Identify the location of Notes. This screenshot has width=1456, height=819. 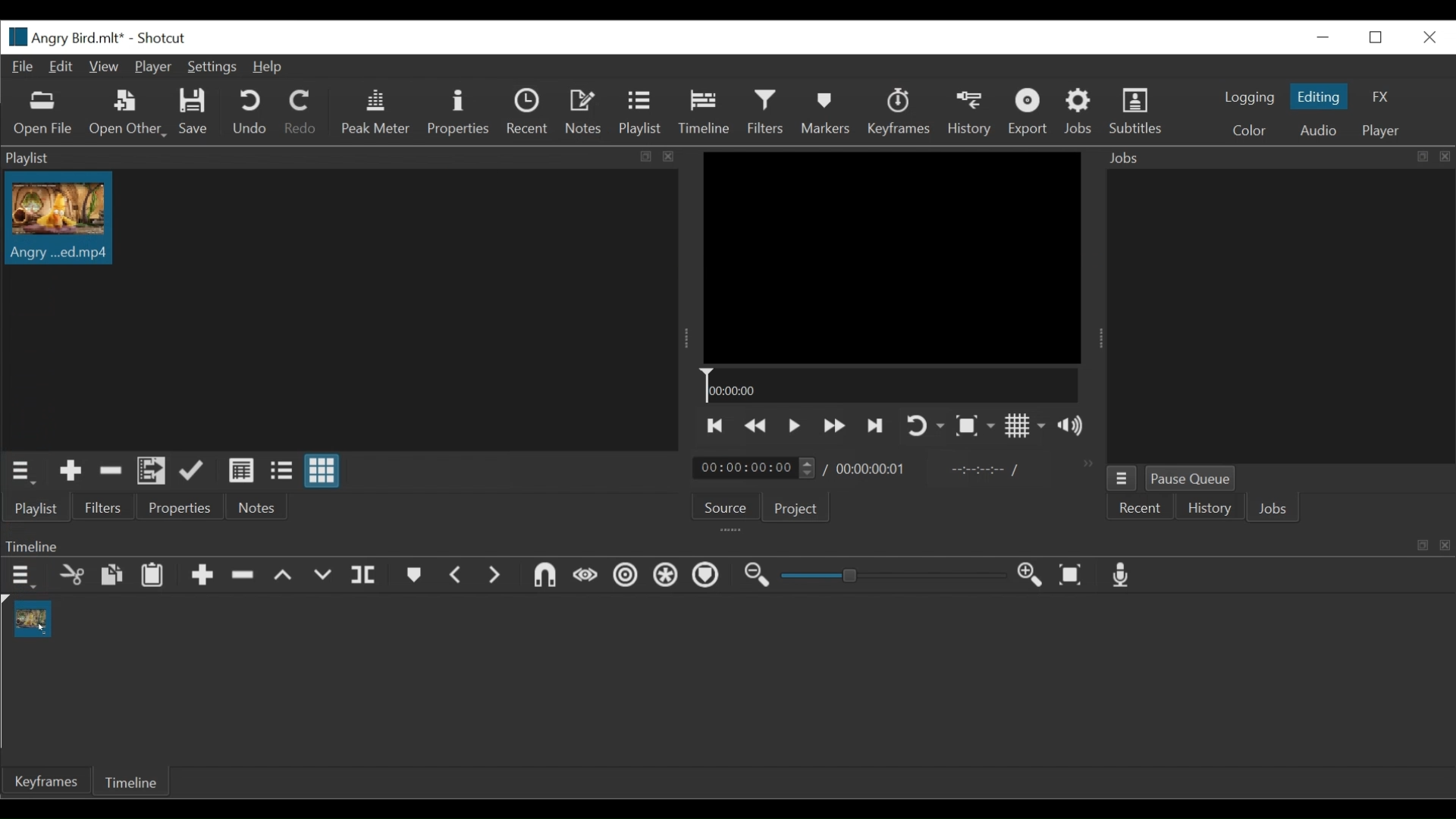
(584, 110).